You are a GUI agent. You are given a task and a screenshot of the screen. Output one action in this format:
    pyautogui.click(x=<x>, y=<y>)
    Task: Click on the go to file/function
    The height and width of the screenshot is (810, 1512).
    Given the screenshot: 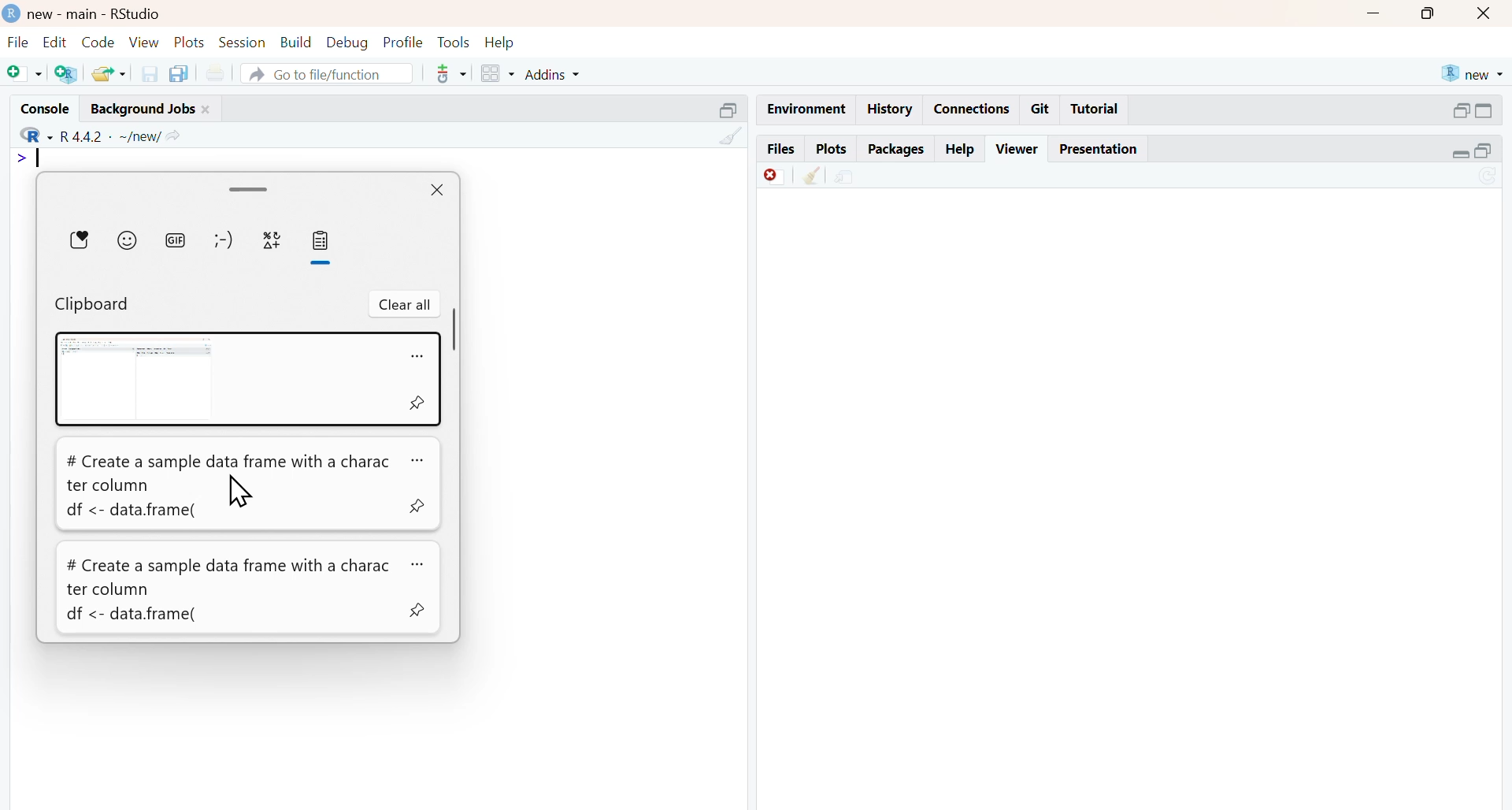 What is the action you would take?
    pyautogui.click(x=326, y=74)
    